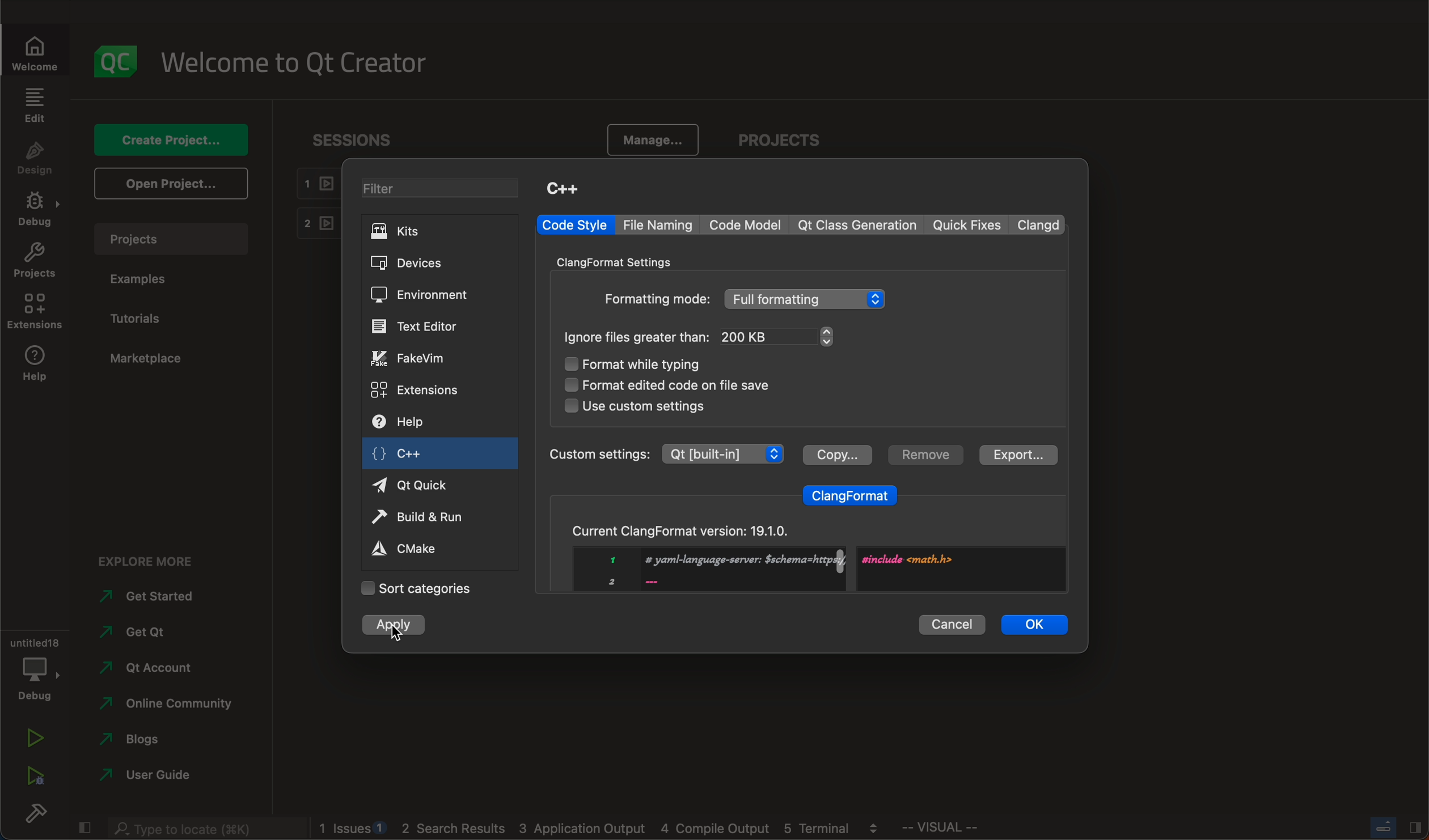  I want to click on fixes, so click(969, 226).